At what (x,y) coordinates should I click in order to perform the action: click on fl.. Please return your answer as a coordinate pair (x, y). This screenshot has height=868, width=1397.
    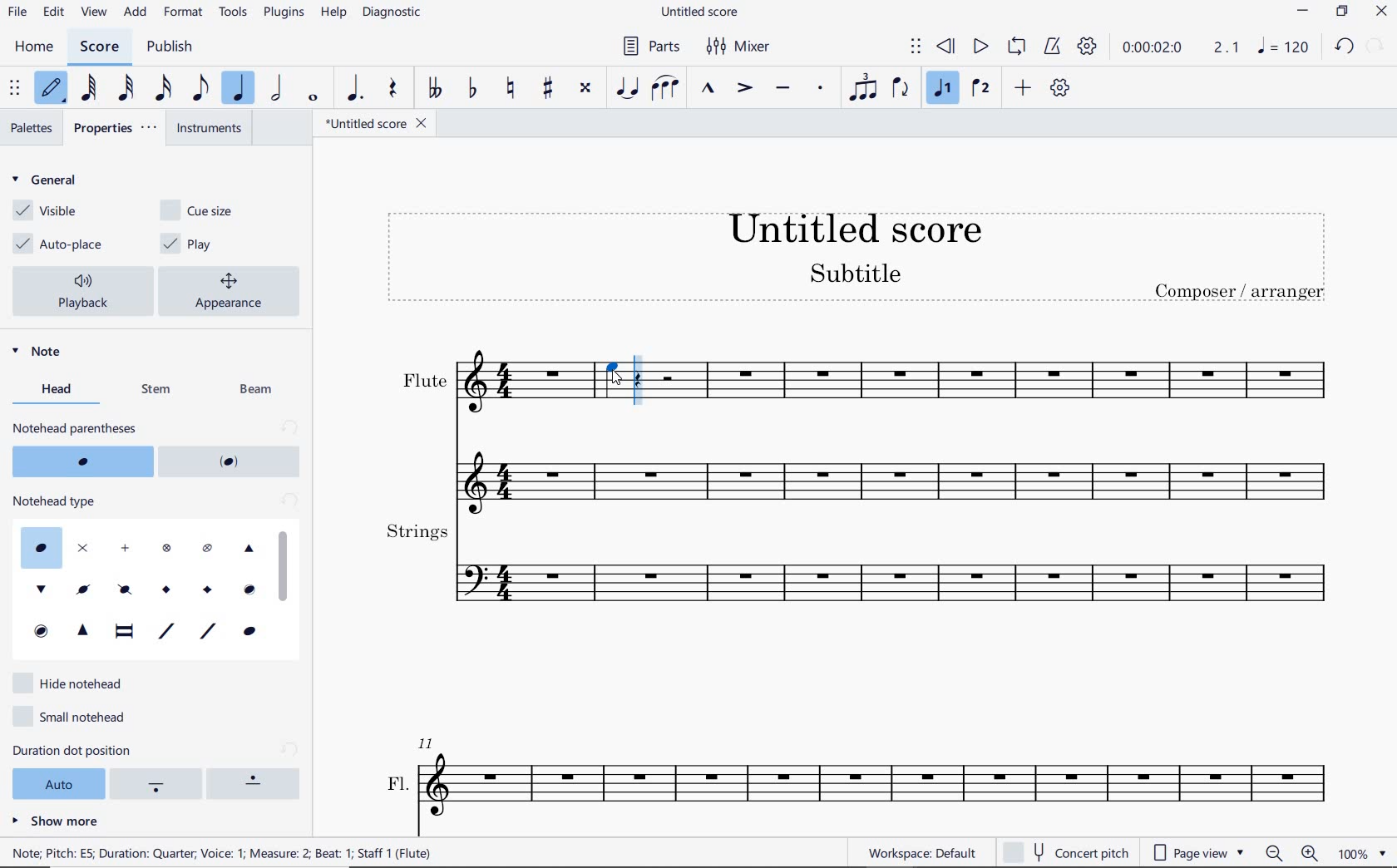
    Looking at the image, I should click on (861, 776).